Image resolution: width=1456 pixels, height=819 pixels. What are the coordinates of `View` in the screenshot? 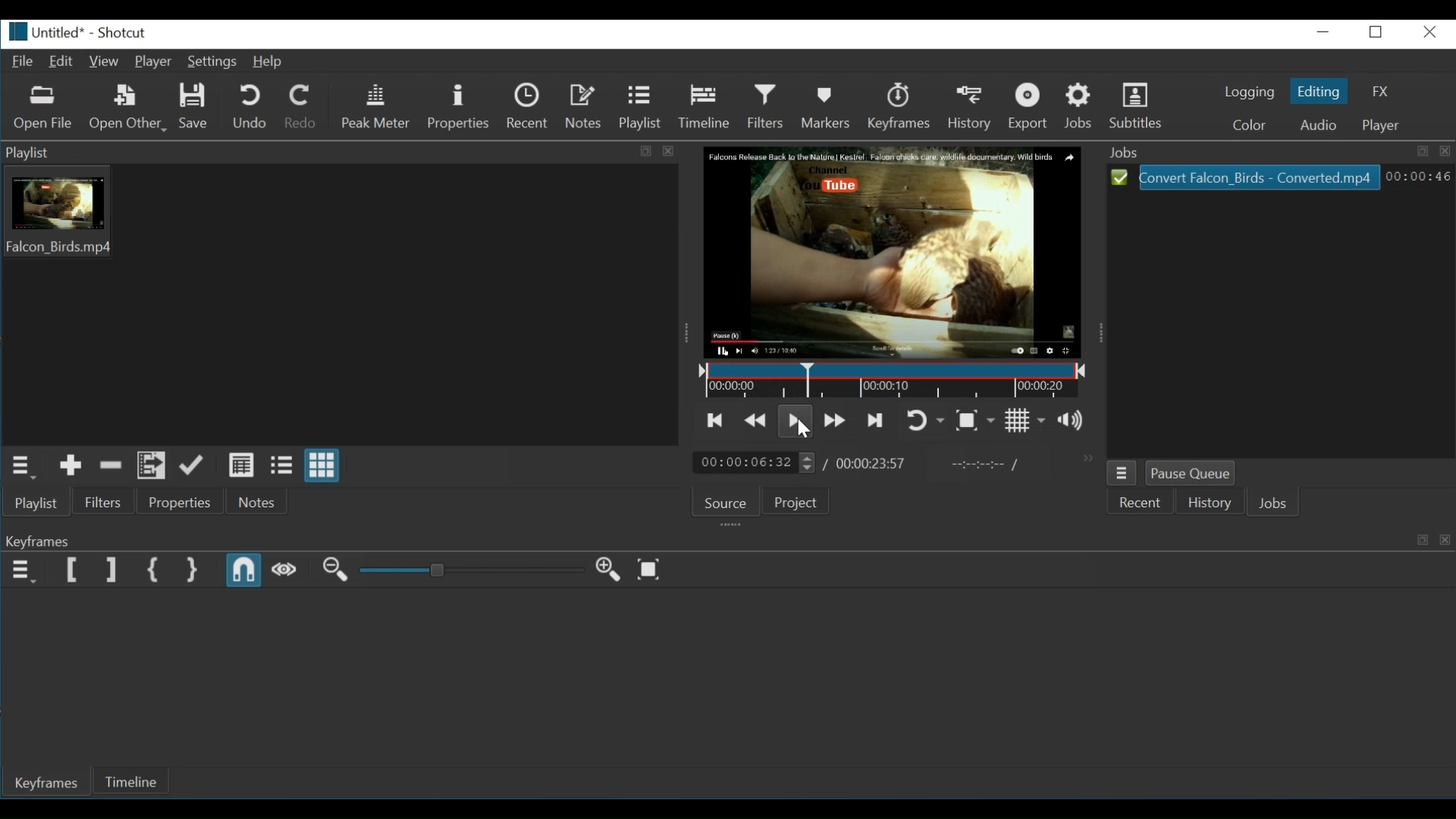 It's located at (104, 61).